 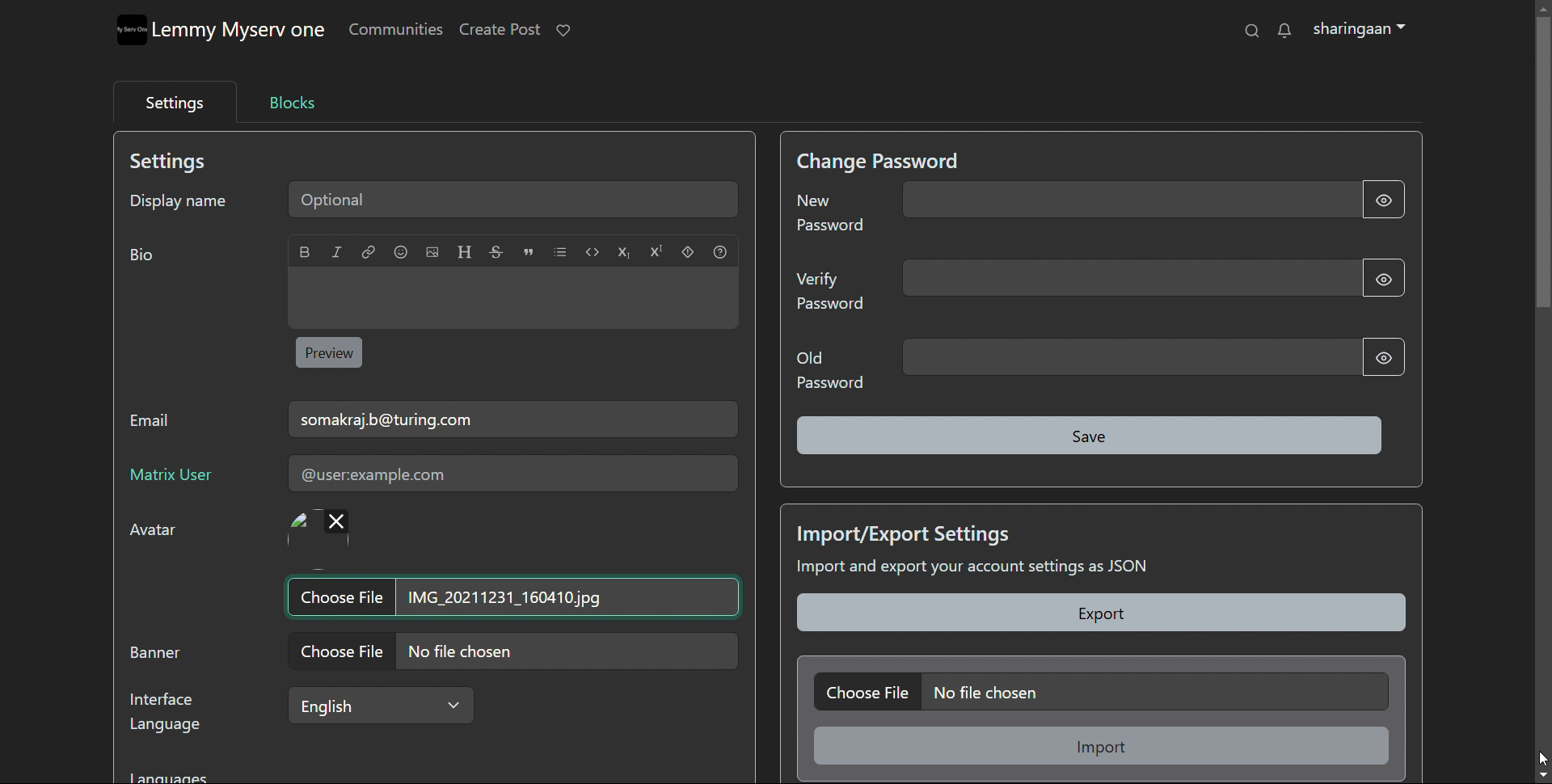 What do you see at coordinates (175, 773) in the screenshot?
I see `Languages` at bounding box center [175, 773].